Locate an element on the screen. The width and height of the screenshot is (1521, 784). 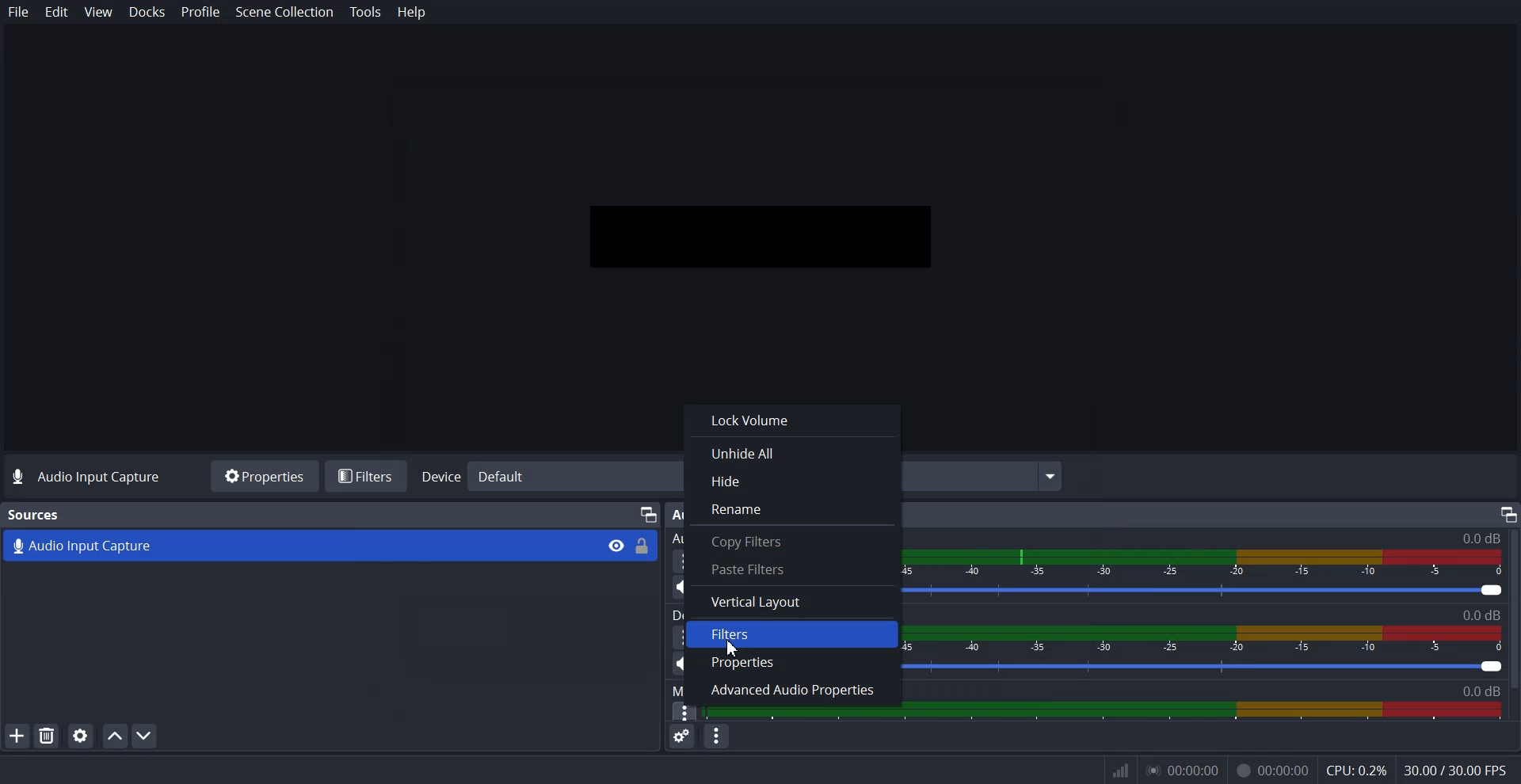
Lock is located at coordinates (641, 546).